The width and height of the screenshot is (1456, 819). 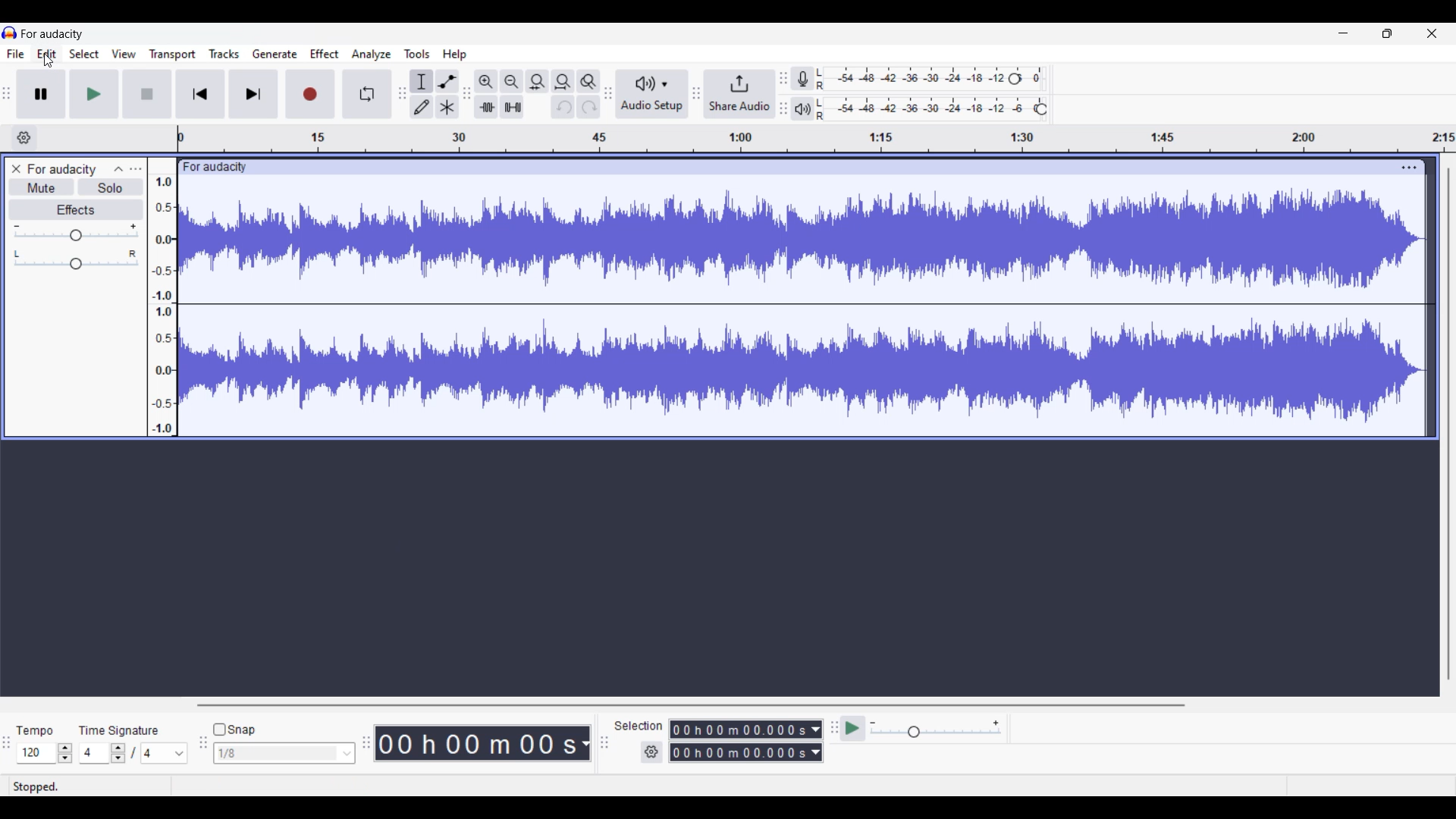 I want to click on Scale to measure intensity of waves in track, so click(x=162, y=297).